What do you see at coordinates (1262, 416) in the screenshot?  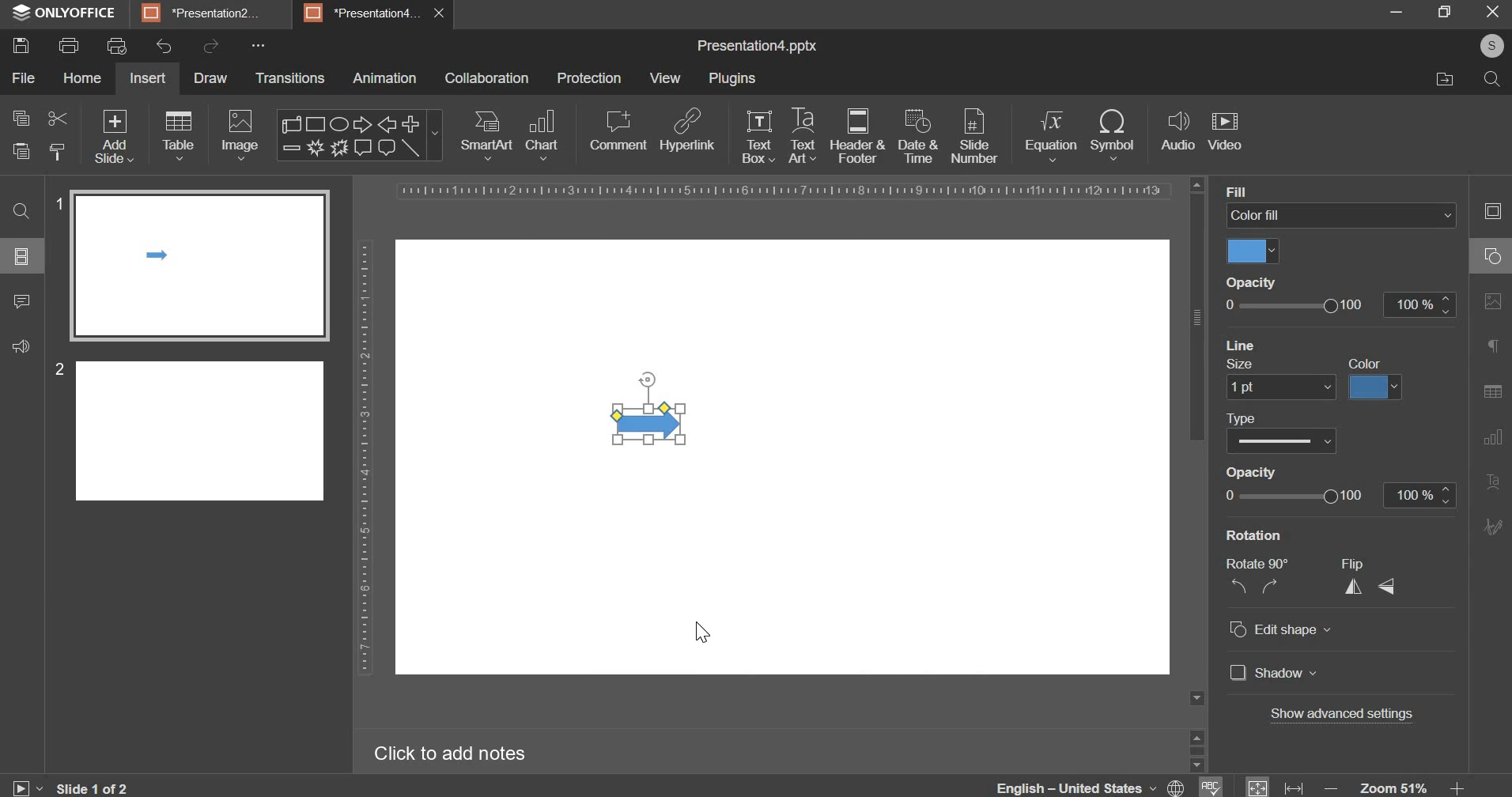 I see `` at bounding box center [1262, 416].